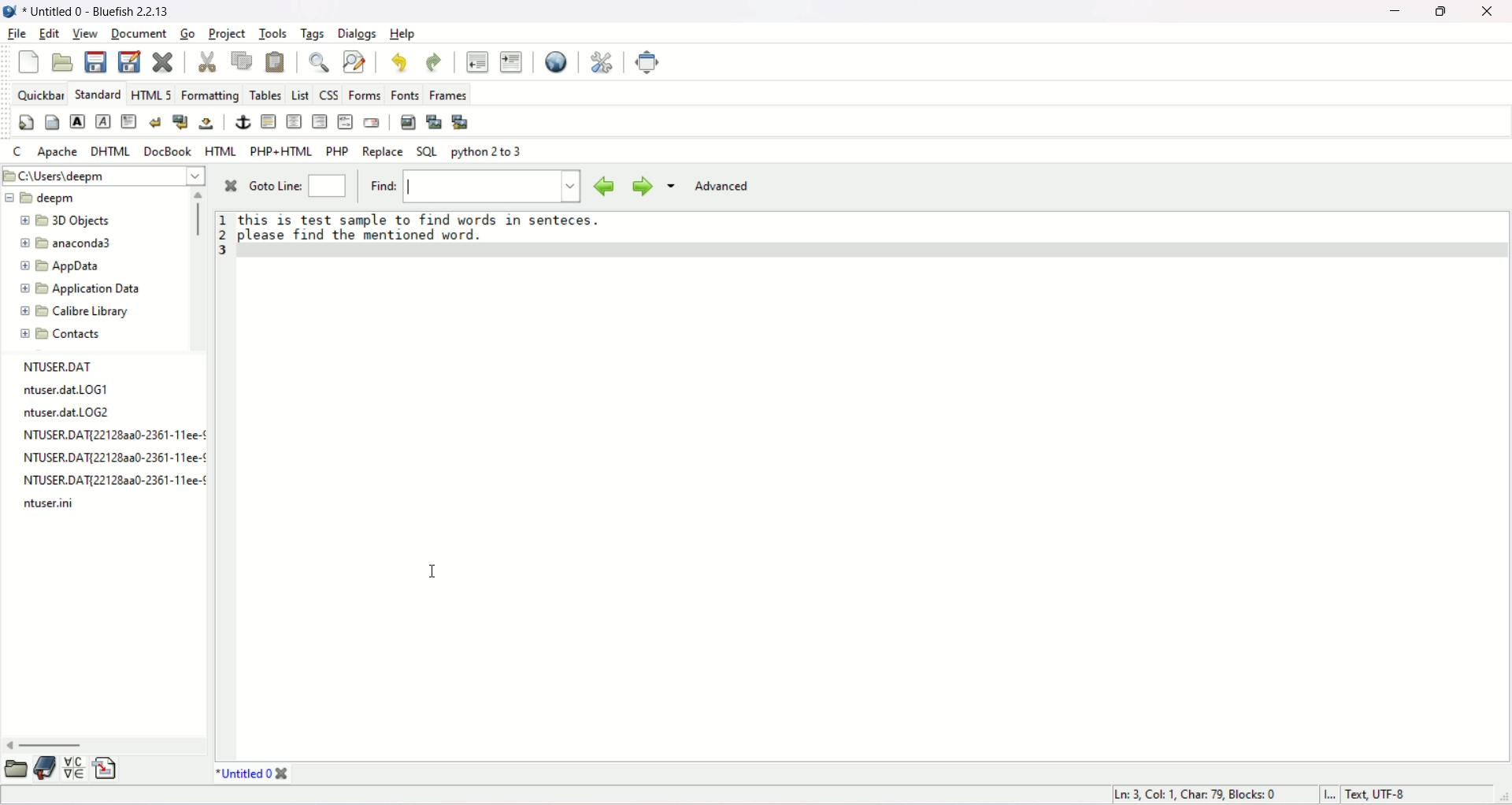 This screenshot has height=805, width=1512. I want to click on frames, so click(450, 95).